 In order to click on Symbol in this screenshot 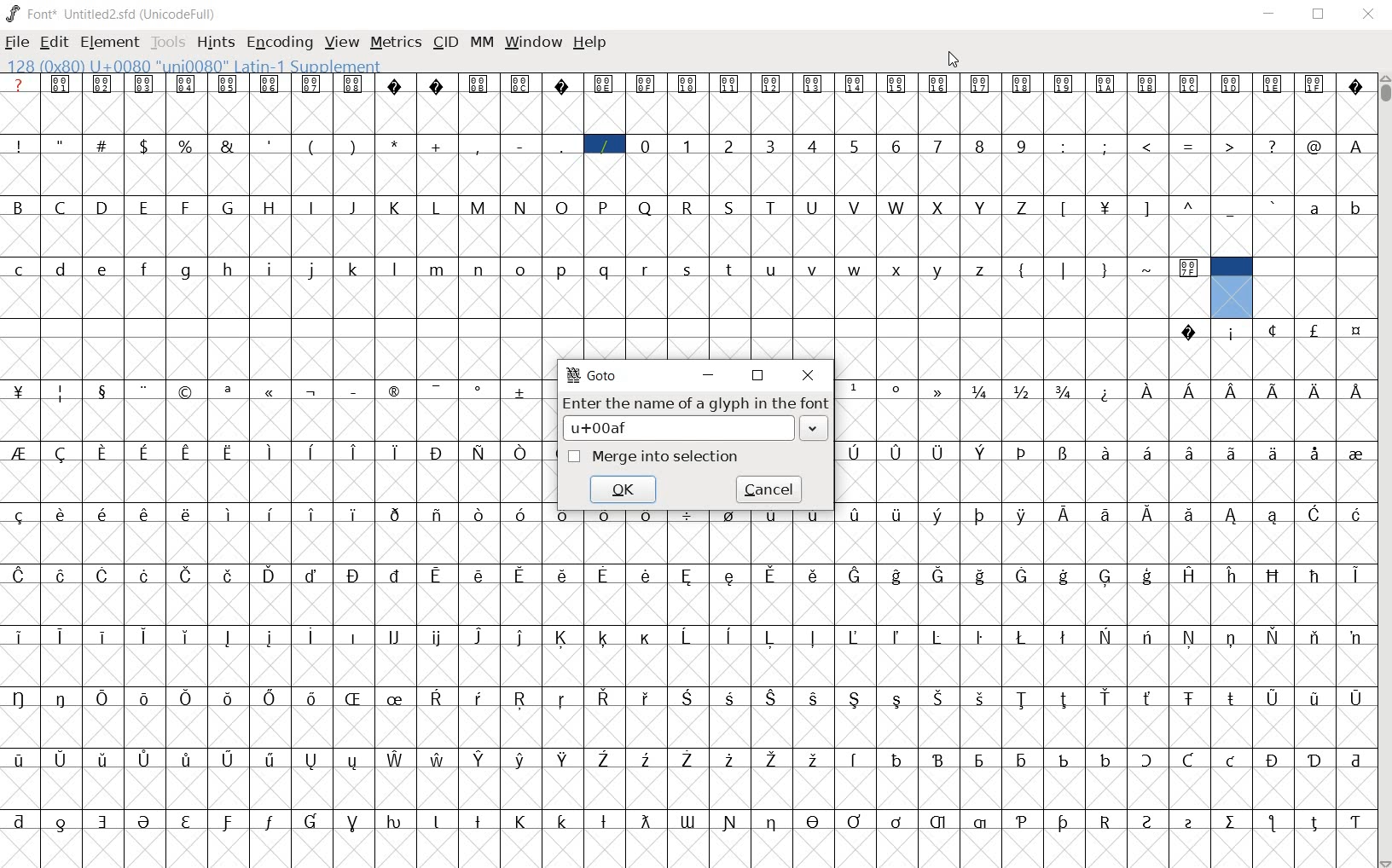, I will do `click(896, 636)`.